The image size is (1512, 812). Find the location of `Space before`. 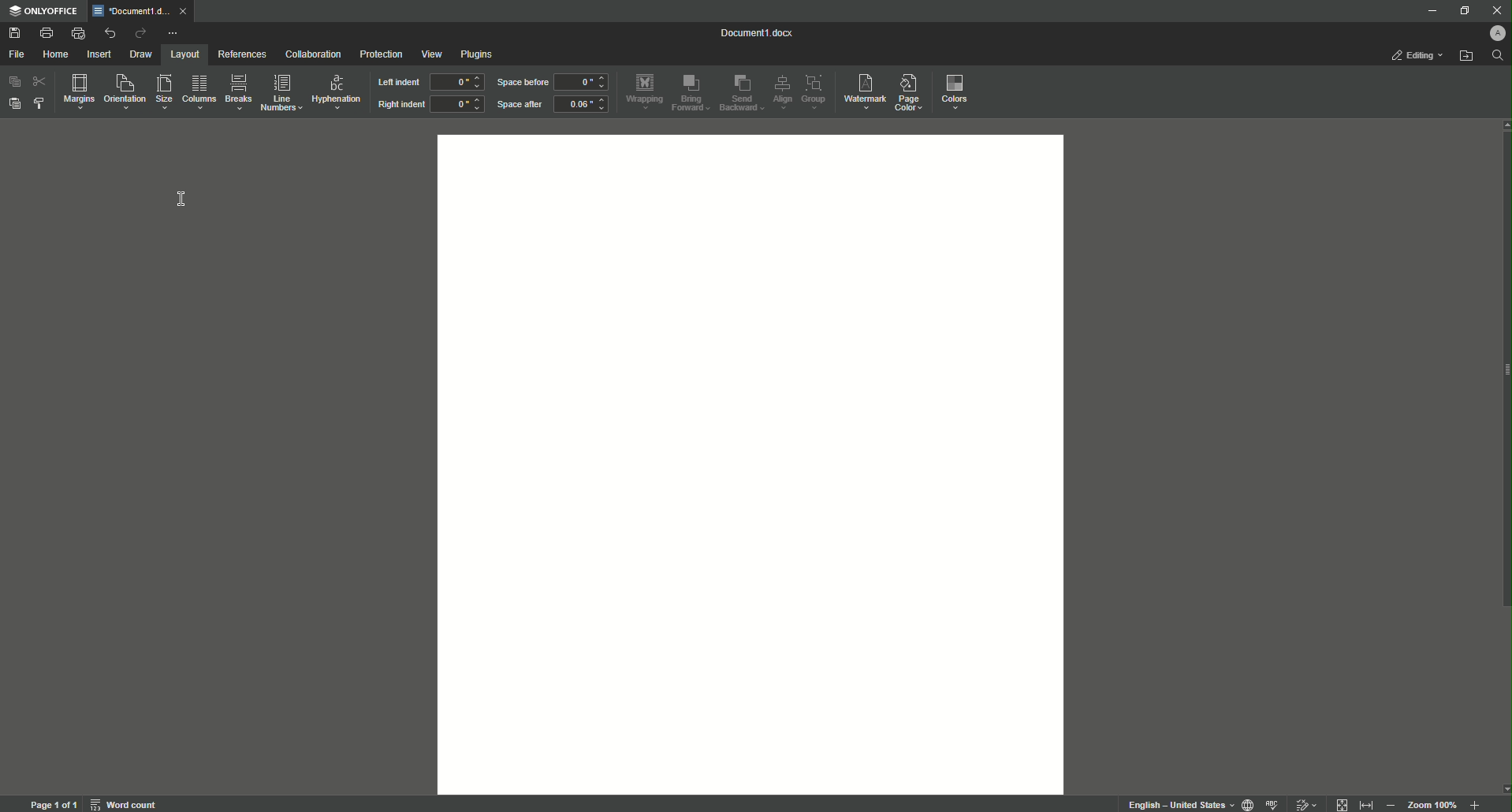

Space before is located at coordinates (521, 83).